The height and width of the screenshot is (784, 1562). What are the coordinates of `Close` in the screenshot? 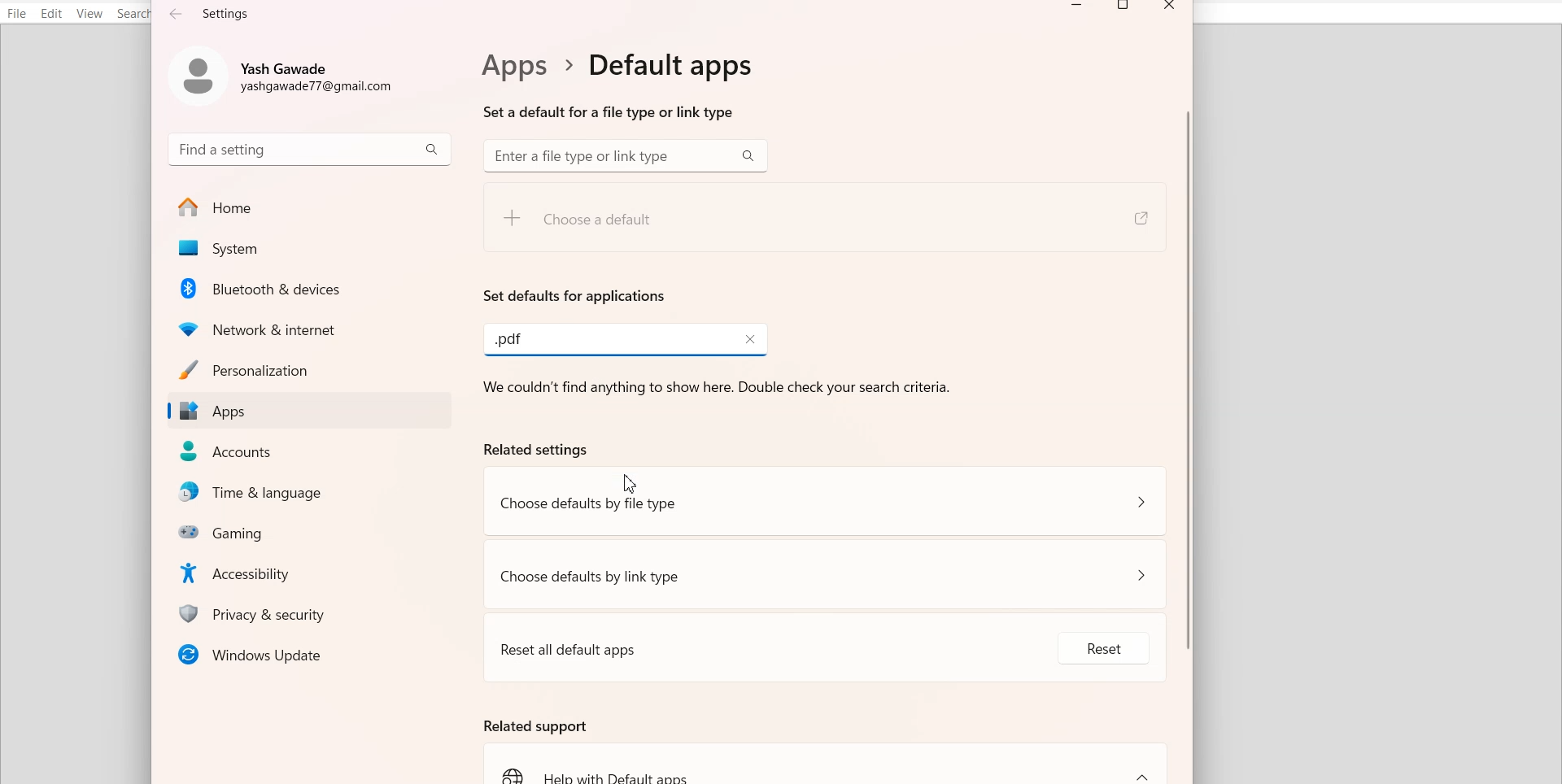 It's located at (744, 338).